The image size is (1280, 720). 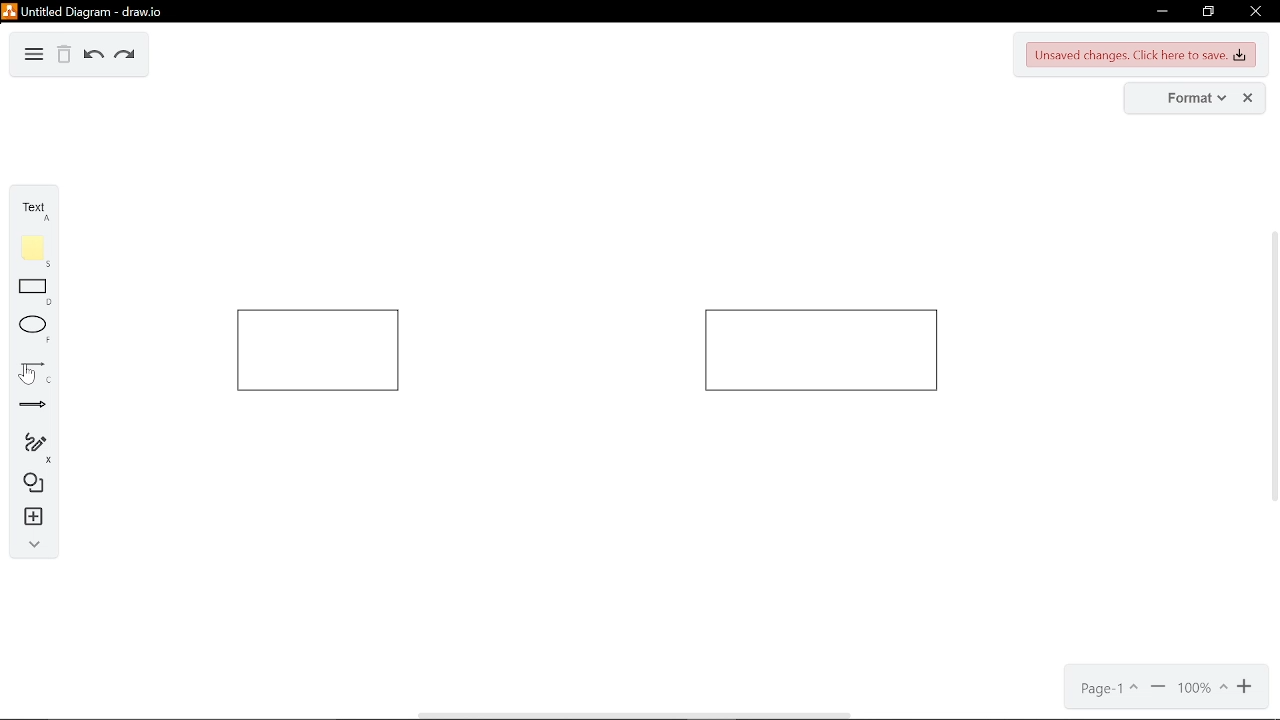 What do you see at coordinates (92, 57) in the screenshot?
I see `undo` at bounding box center [92, 57].